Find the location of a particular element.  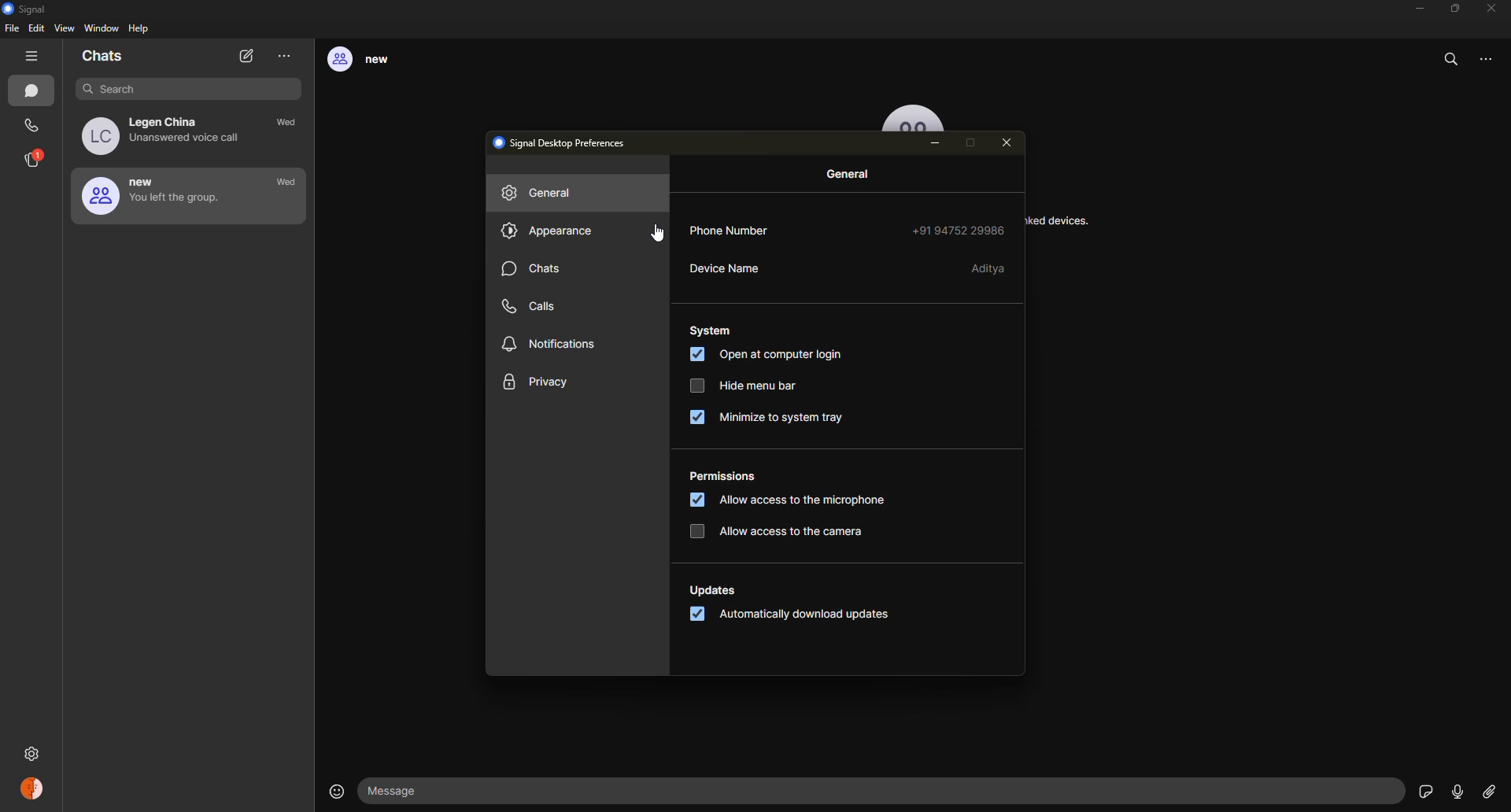

allow access to camera is located at coordinates (780, 530).